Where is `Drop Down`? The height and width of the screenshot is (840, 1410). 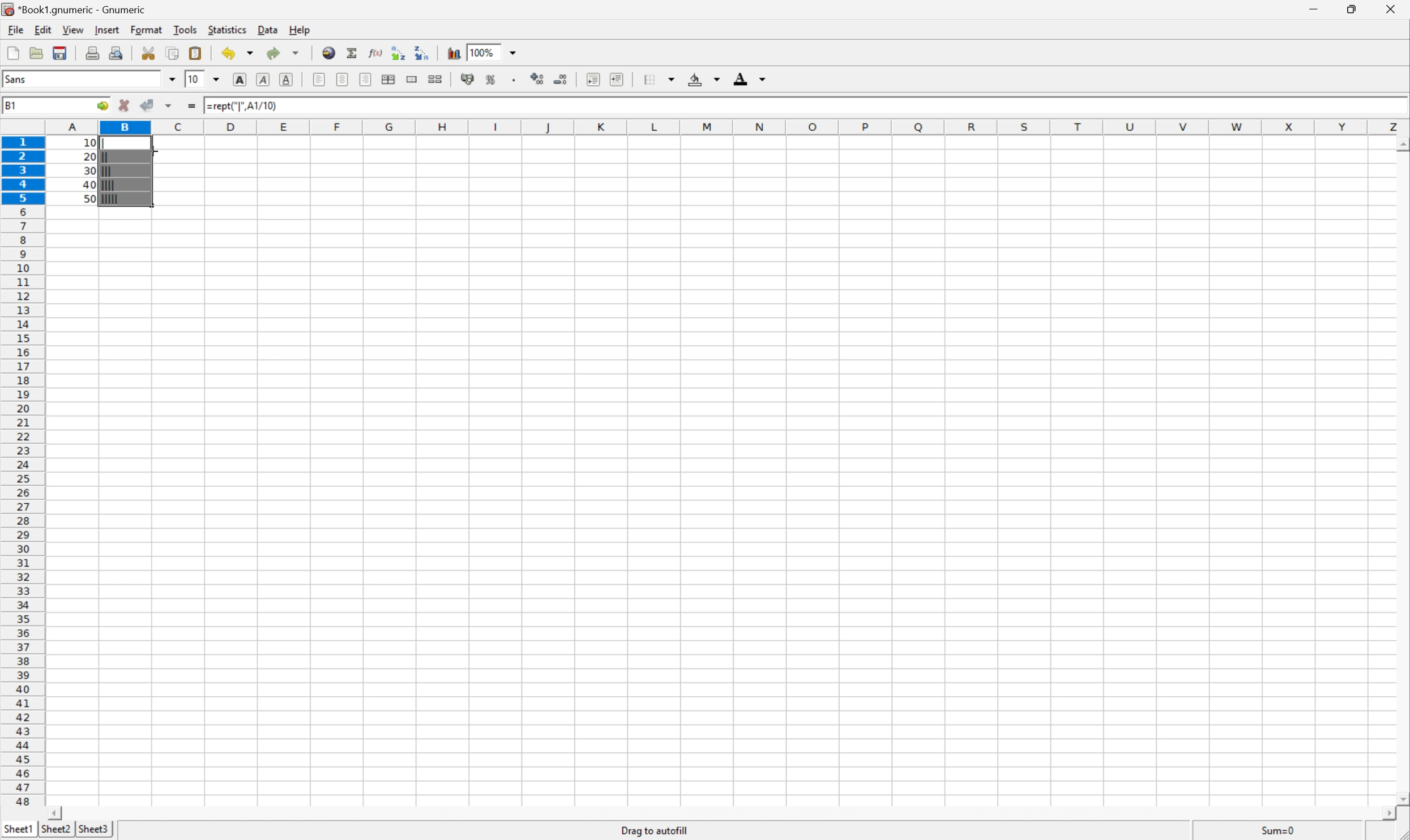 Drop Down is located at coordinates (171, 79).